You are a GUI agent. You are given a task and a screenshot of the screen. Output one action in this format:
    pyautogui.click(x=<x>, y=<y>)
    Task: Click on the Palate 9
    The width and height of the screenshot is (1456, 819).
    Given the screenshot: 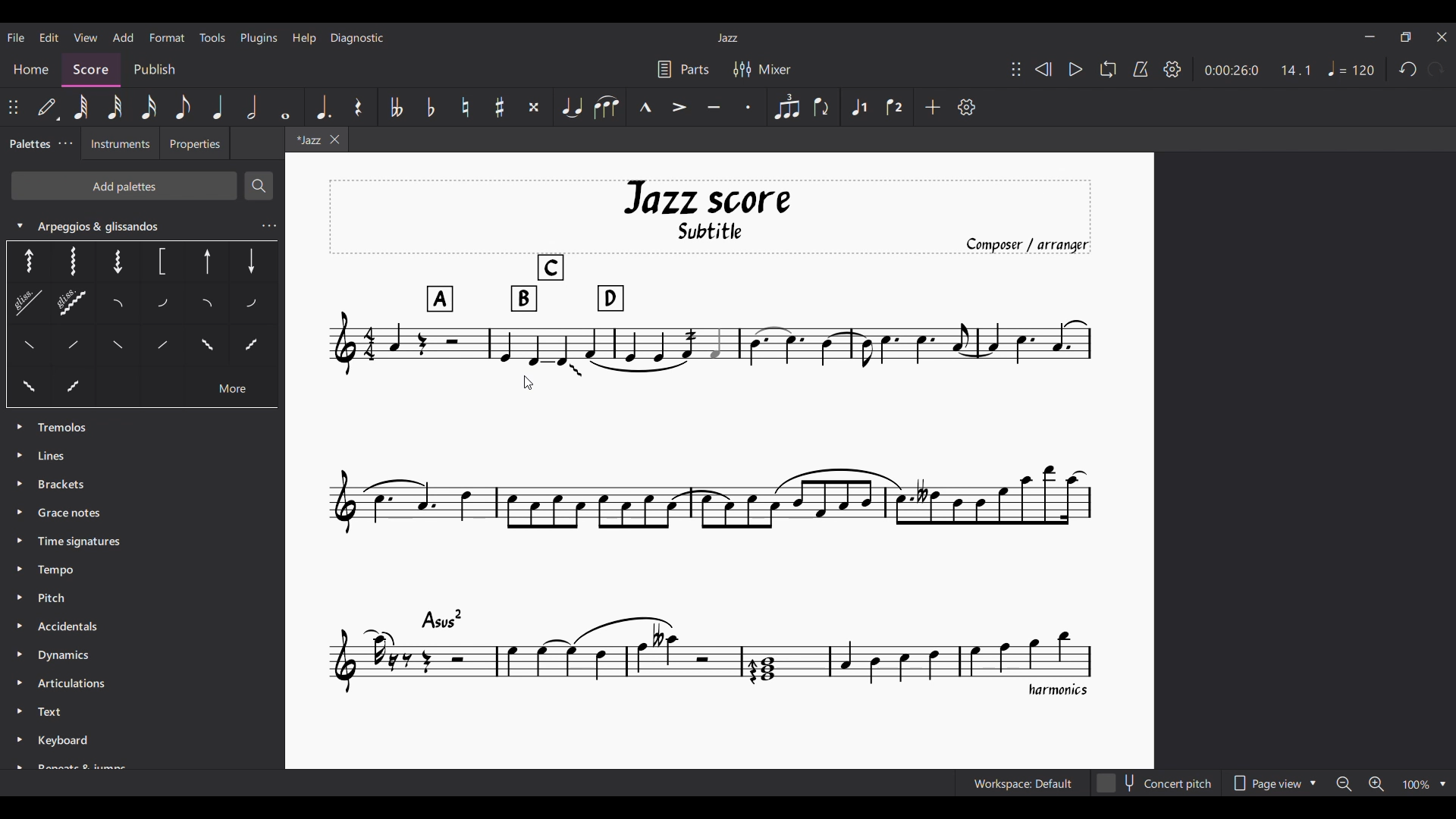 What is the action you would take?
    pyautogui.click(x=123, y=305)
    